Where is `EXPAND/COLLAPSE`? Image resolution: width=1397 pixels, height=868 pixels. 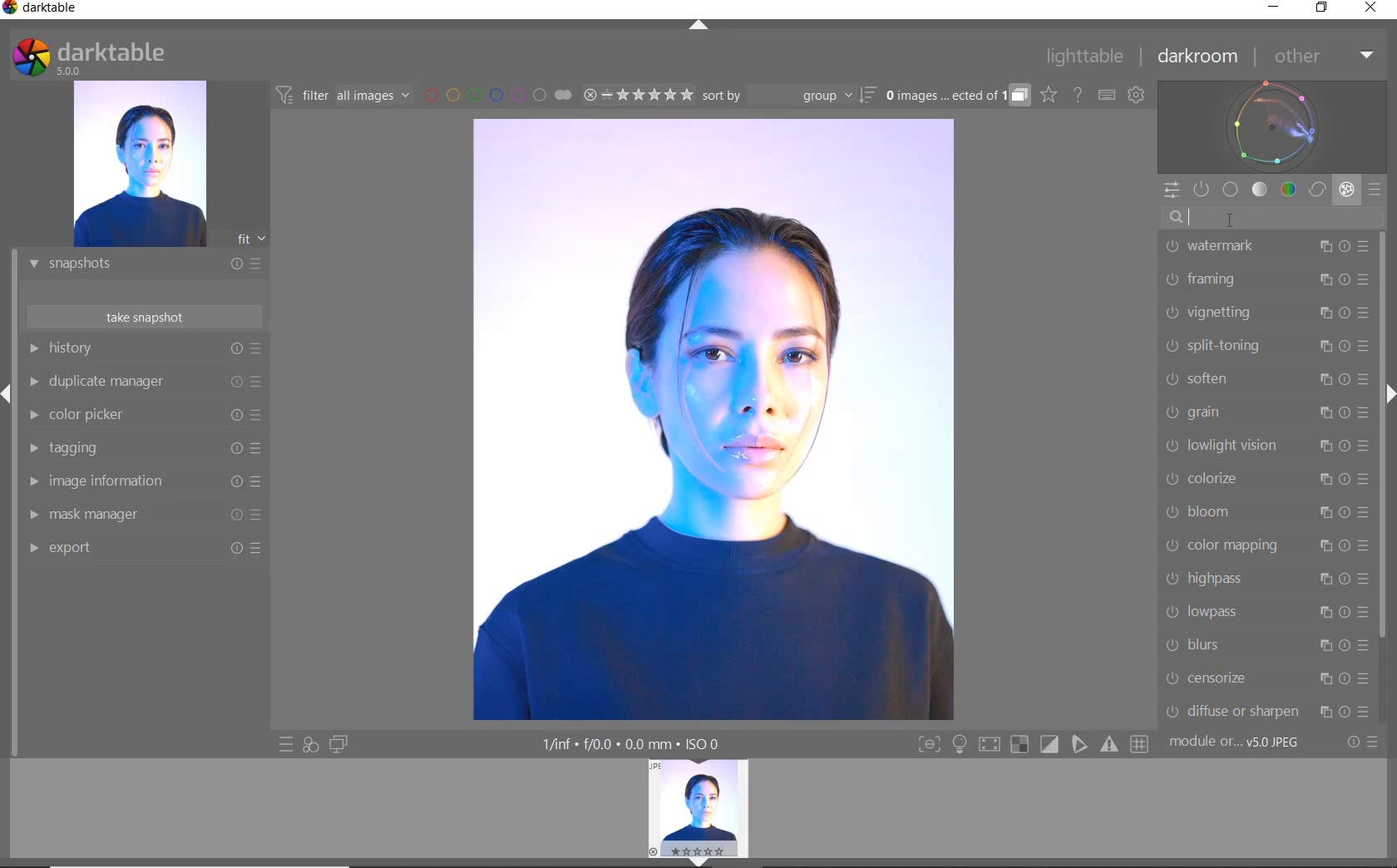
EXPAND/COLLAPSE is located at coordinates (704, 861).